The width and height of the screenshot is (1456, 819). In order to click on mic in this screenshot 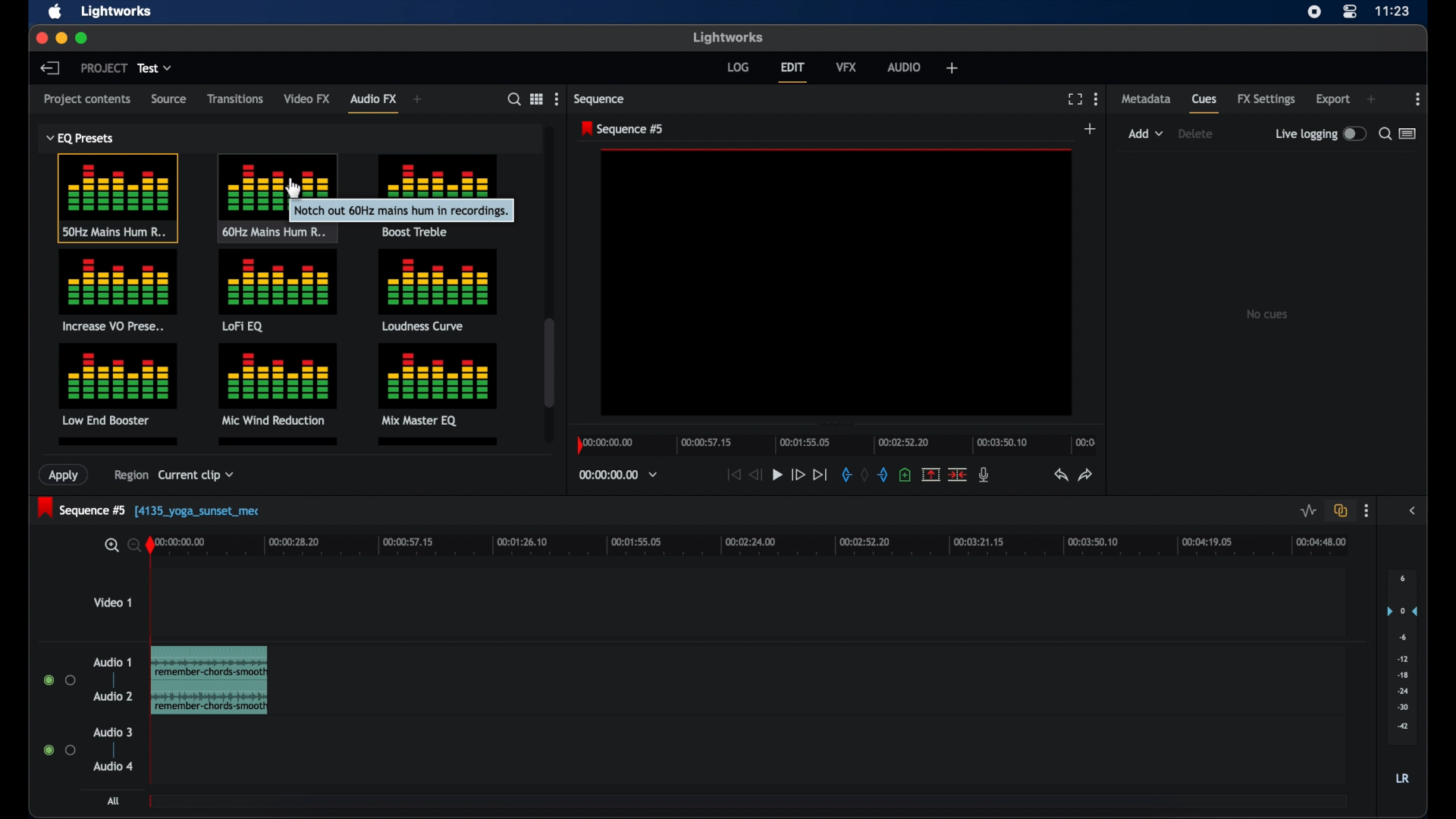, I will do `click(984, 475)`.